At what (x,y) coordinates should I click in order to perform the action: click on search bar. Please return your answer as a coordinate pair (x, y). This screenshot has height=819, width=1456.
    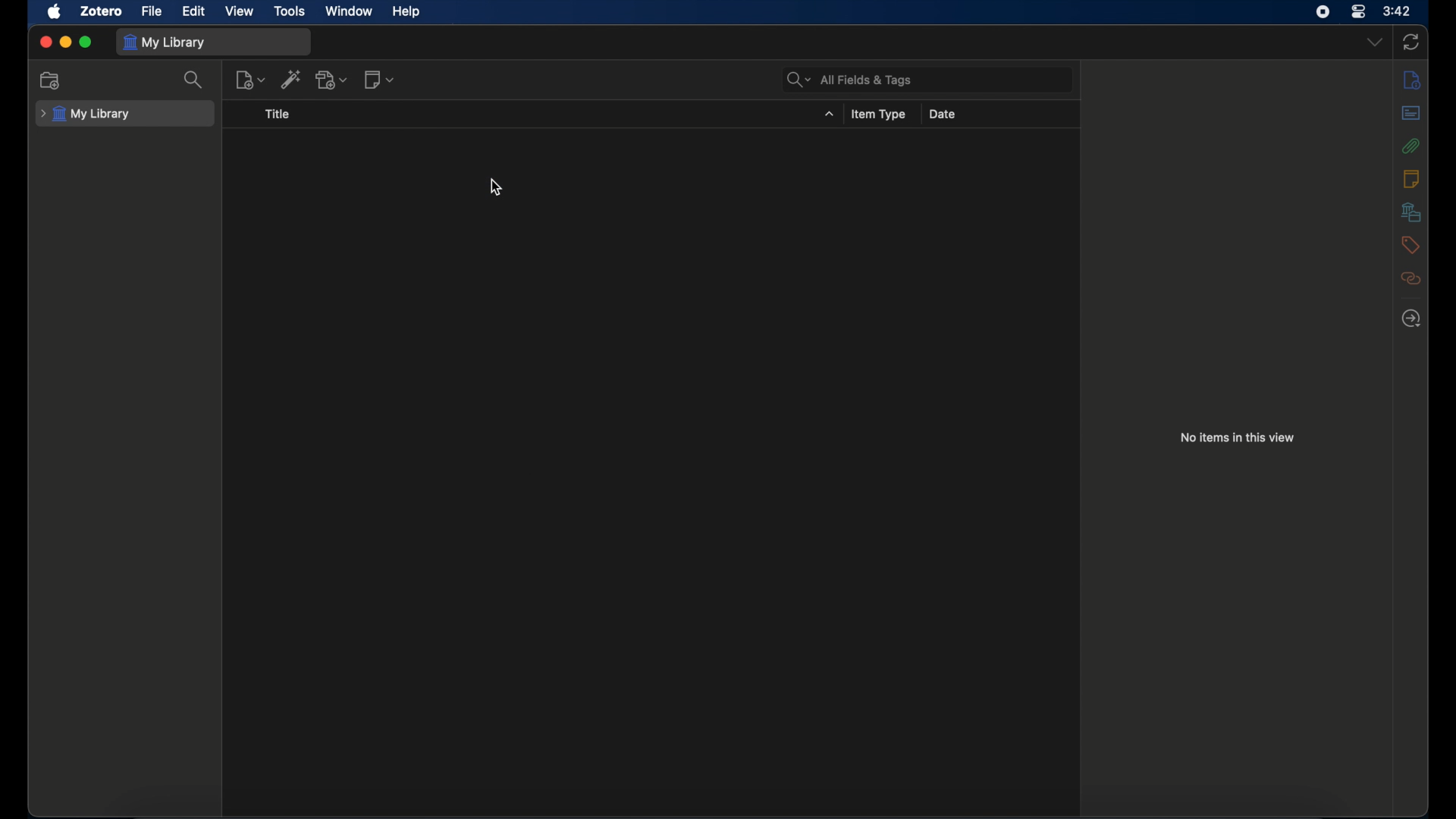
    Looking at the image, I should click on (850, 80).